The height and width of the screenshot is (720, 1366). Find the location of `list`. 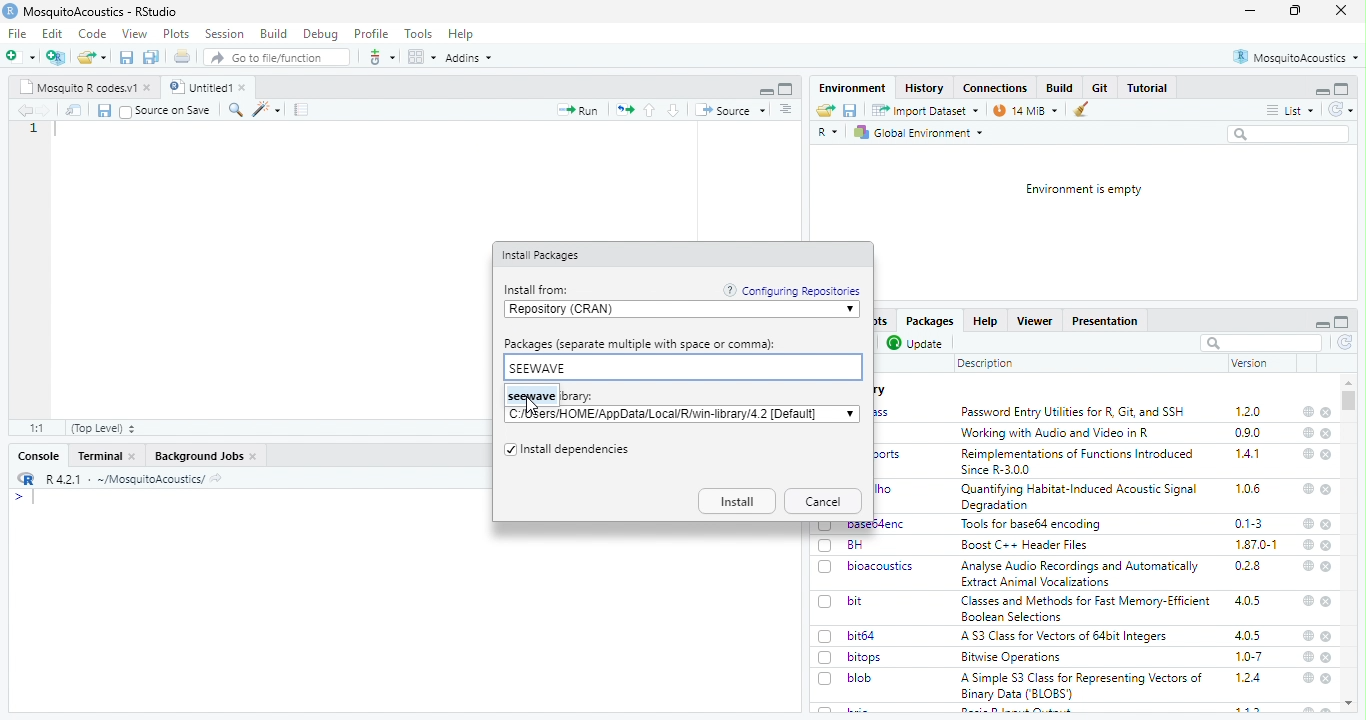

list is located at coordinates (1291, 111).